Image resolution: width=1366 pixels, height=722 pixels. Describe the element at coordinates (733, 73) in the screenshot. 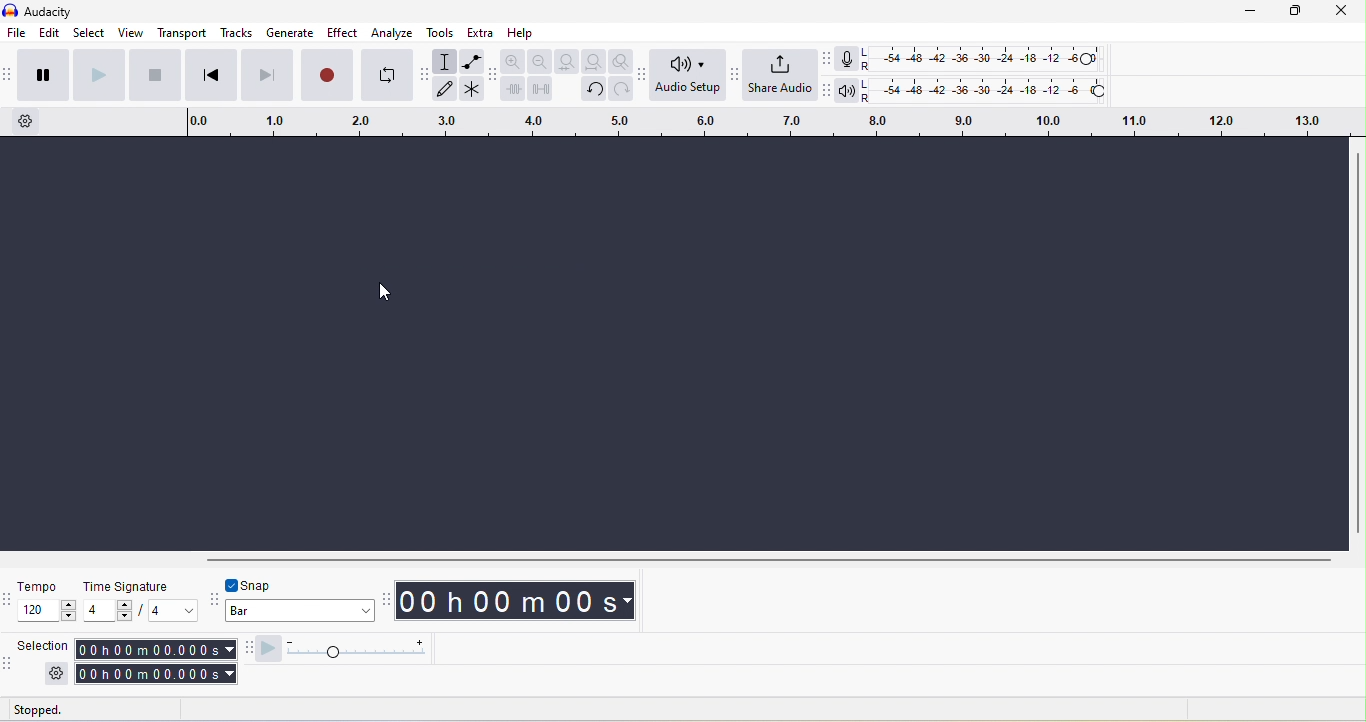

I see `share audio toolbar` at that location.